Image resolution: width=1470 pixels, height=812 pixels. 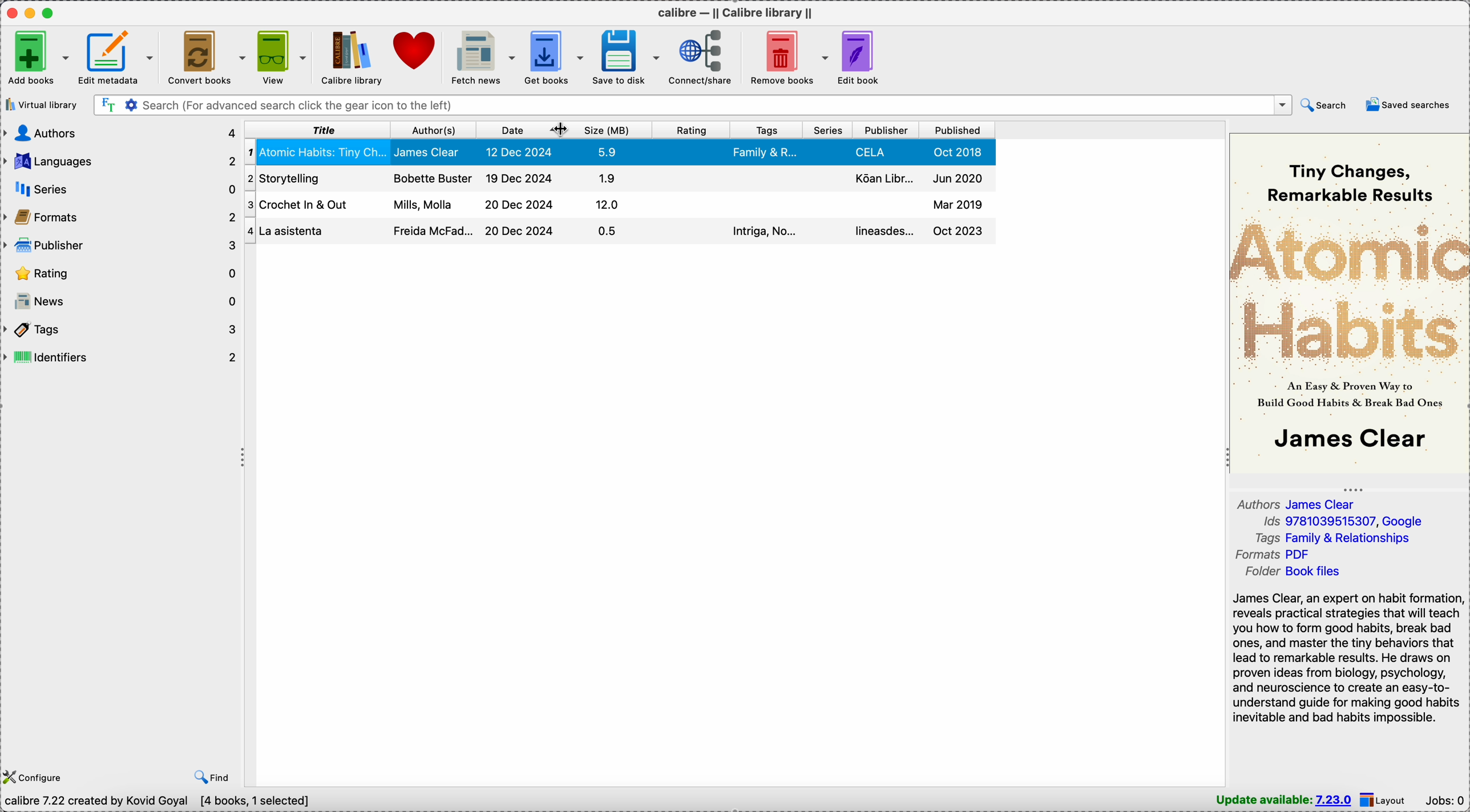 What do you see at coordinates (613, 205) in the screenshot?
I see `La Asistentaa book details` at bounding box center [613, 205].